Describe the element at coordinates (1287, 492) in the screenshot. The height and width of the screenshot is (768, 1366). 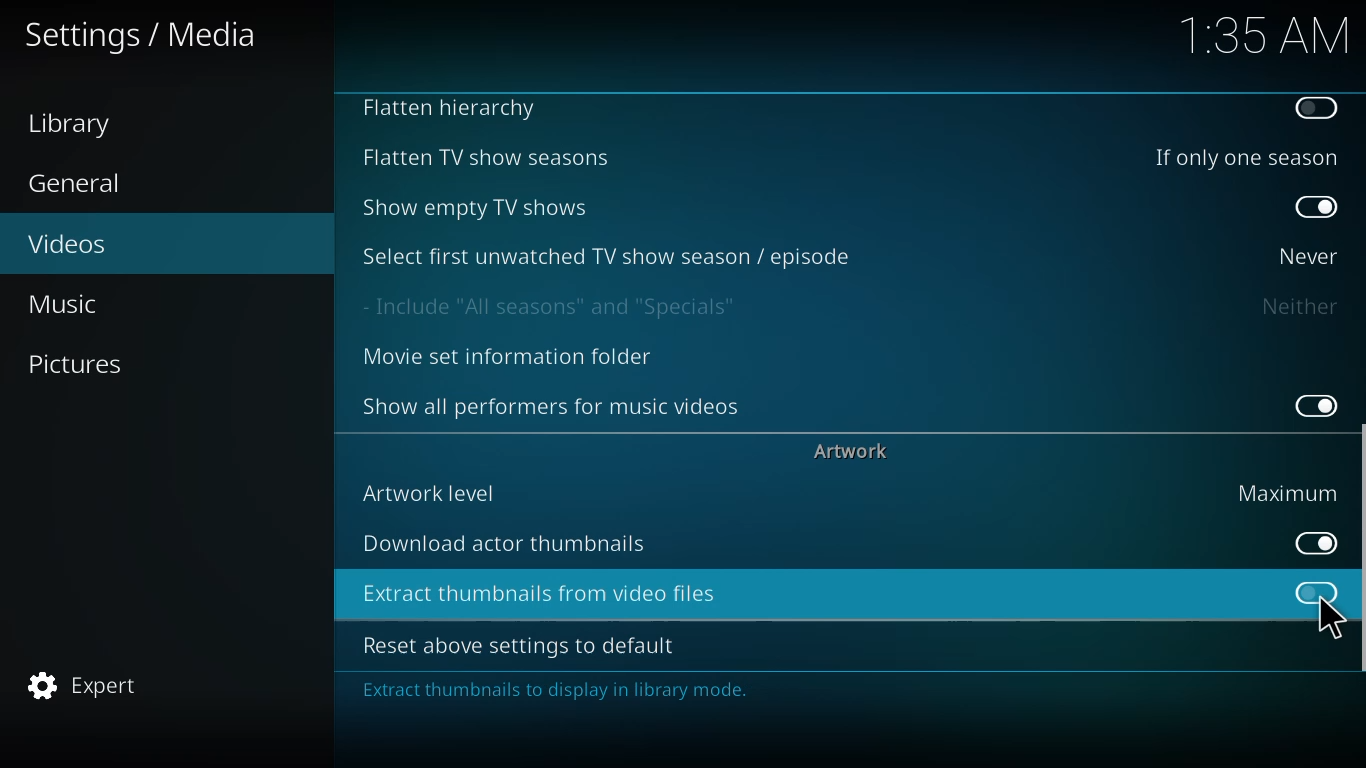
I see `maximum` at that location.